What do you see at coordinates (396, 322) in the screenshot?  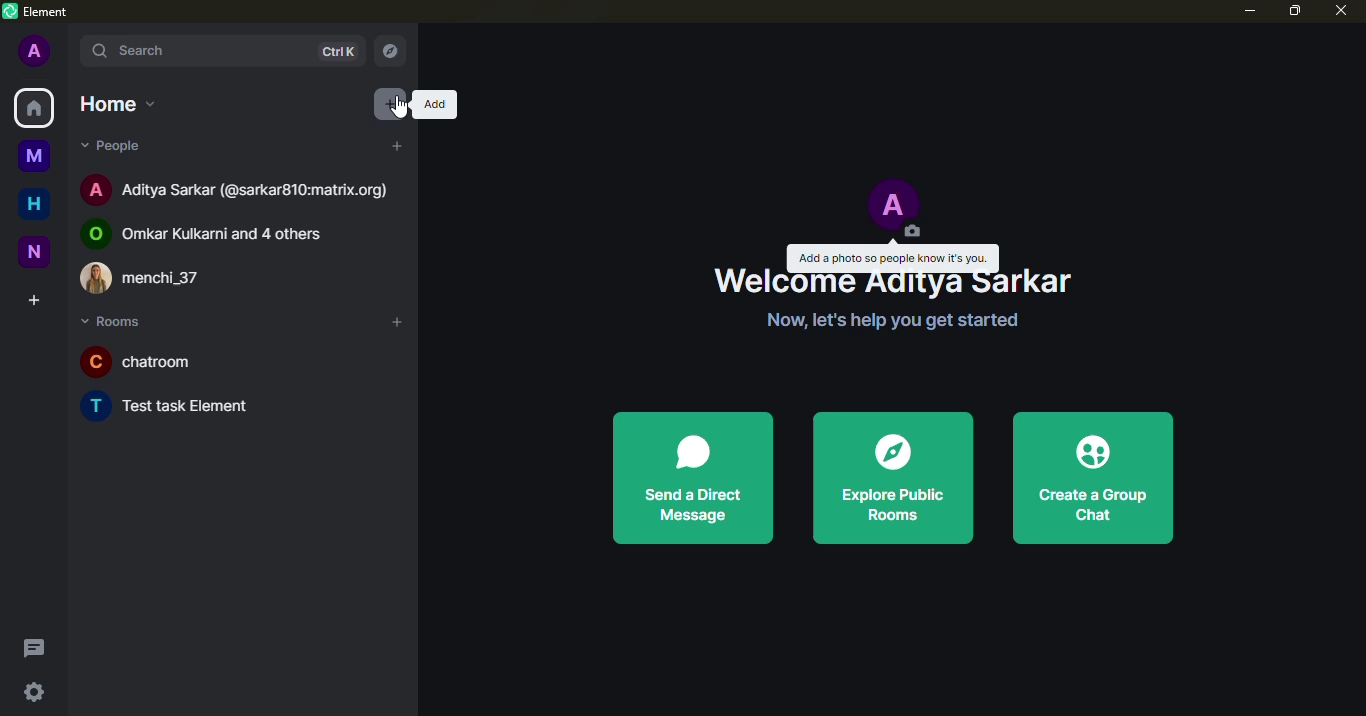 I see `add` at bounding box center [396, 322].